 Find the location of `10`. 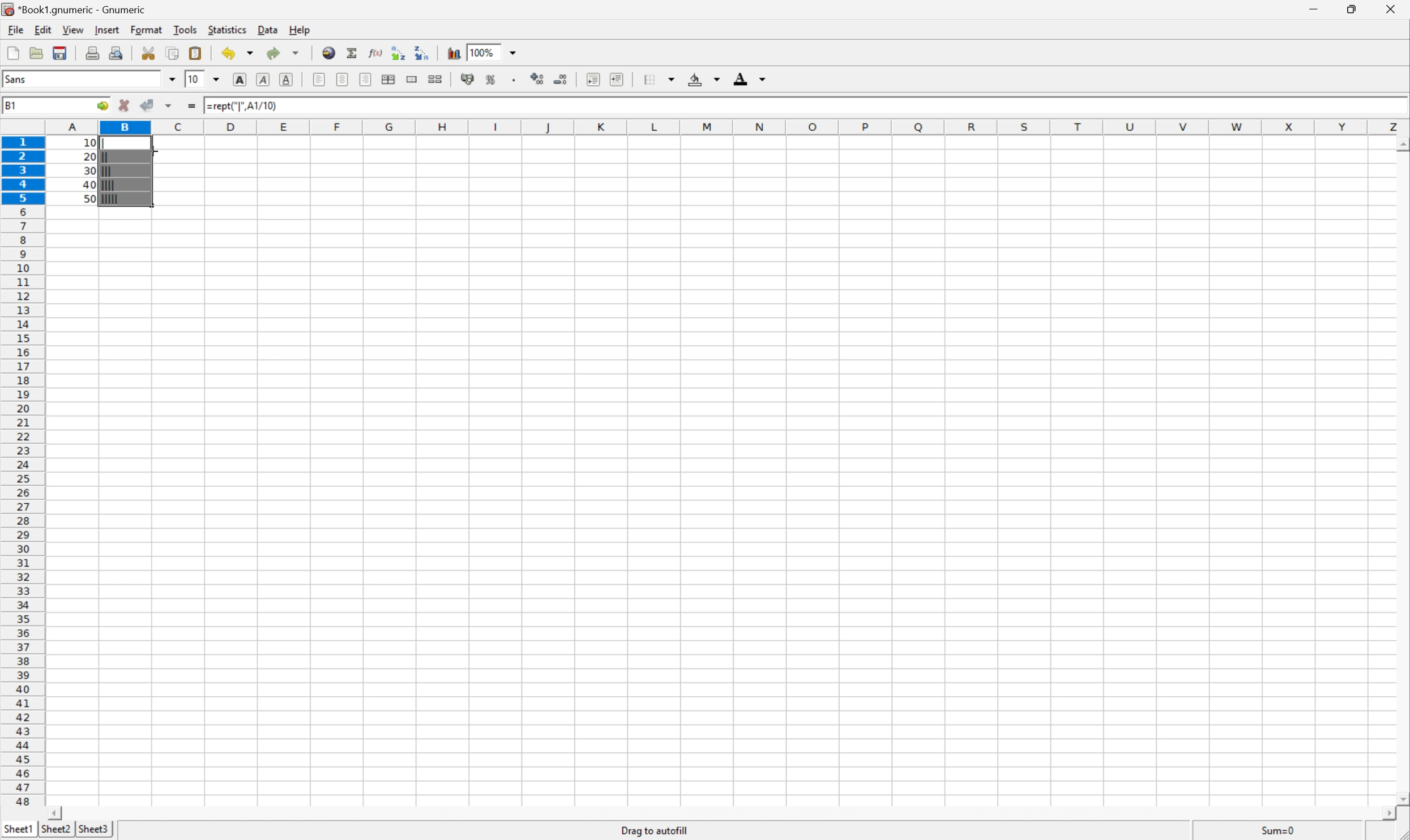

10 is located at coordinates (194, 79).